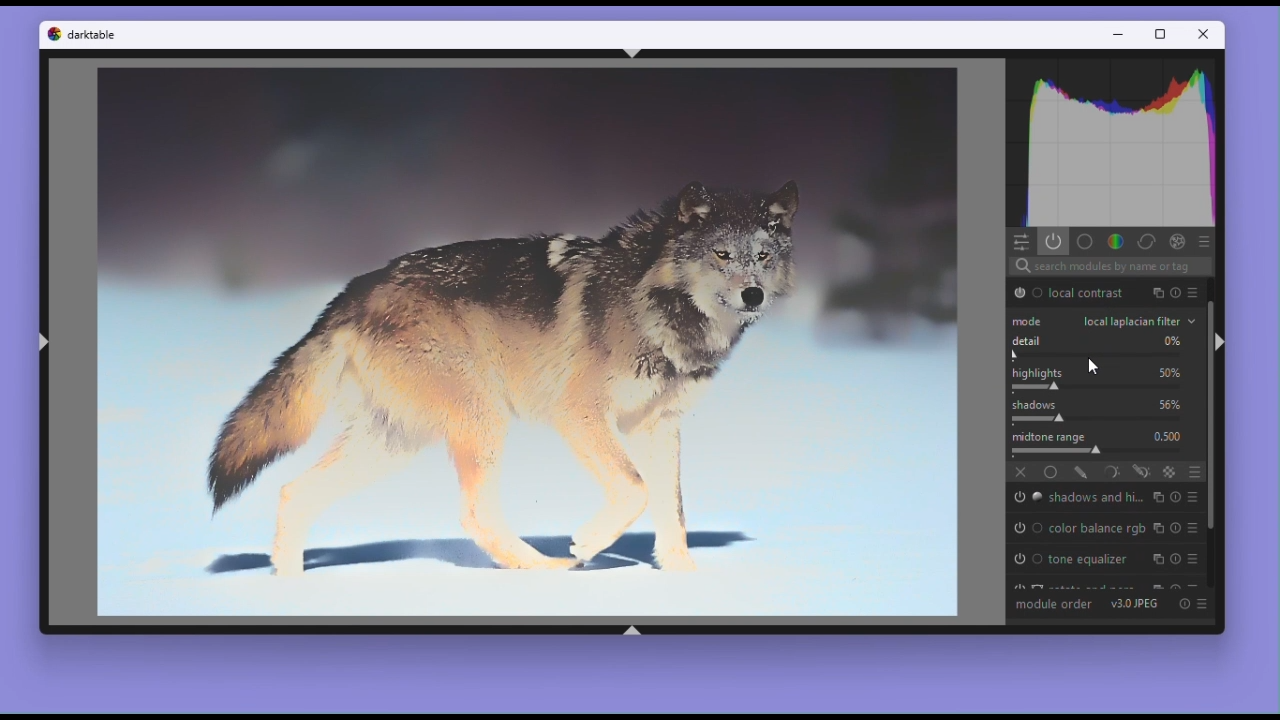 The width and height of the screenshot is (1280, 720). What do you see at coordinates (1090, 605) in the screenshot?
I see `module order v3.0 JPEG` at bounding box center [1090, 605].